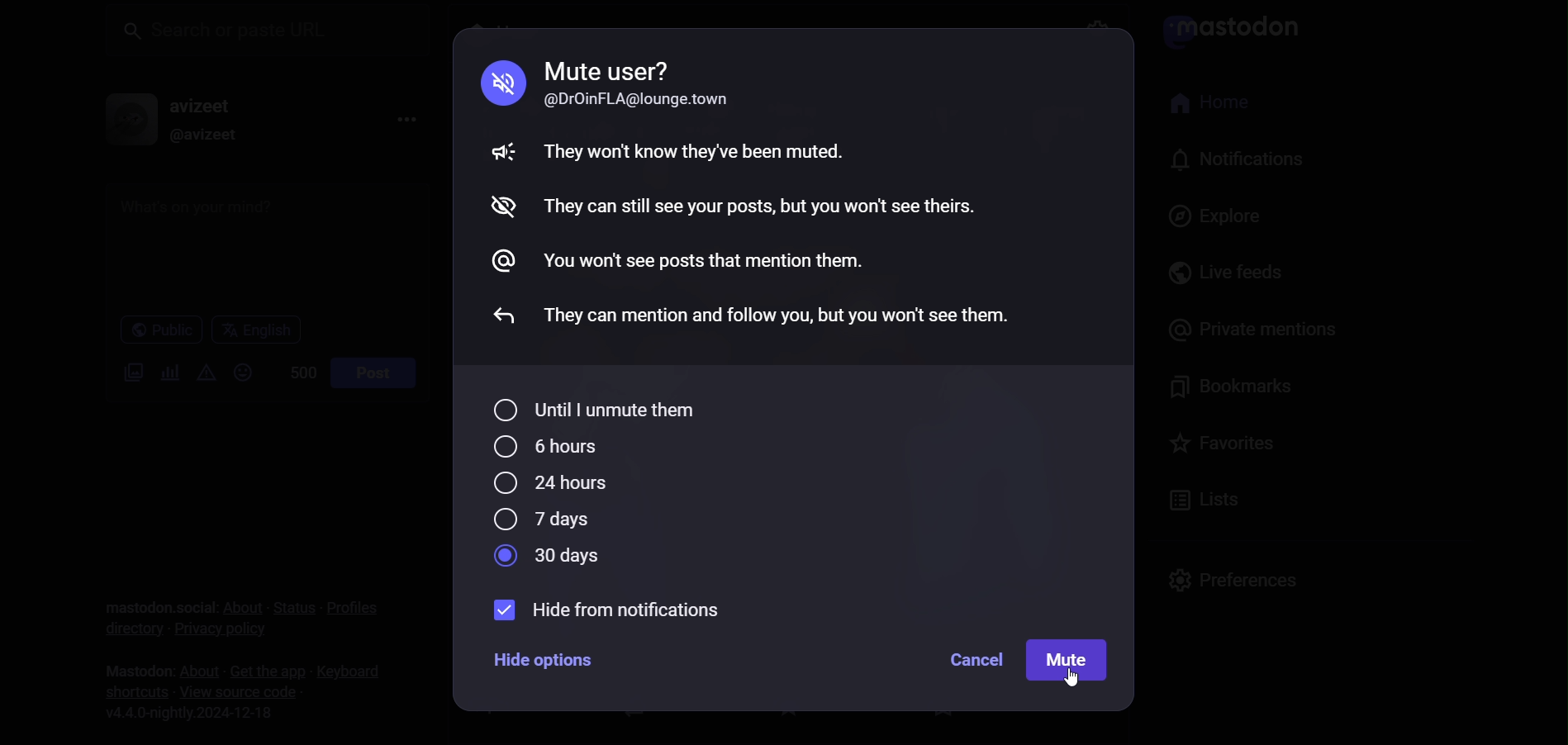 The width and height of the screenshot is (1568, 745). What do you see at coordinates (545, 658) in the screenshot?
I see `hide options` at bounding box center [545, 658].